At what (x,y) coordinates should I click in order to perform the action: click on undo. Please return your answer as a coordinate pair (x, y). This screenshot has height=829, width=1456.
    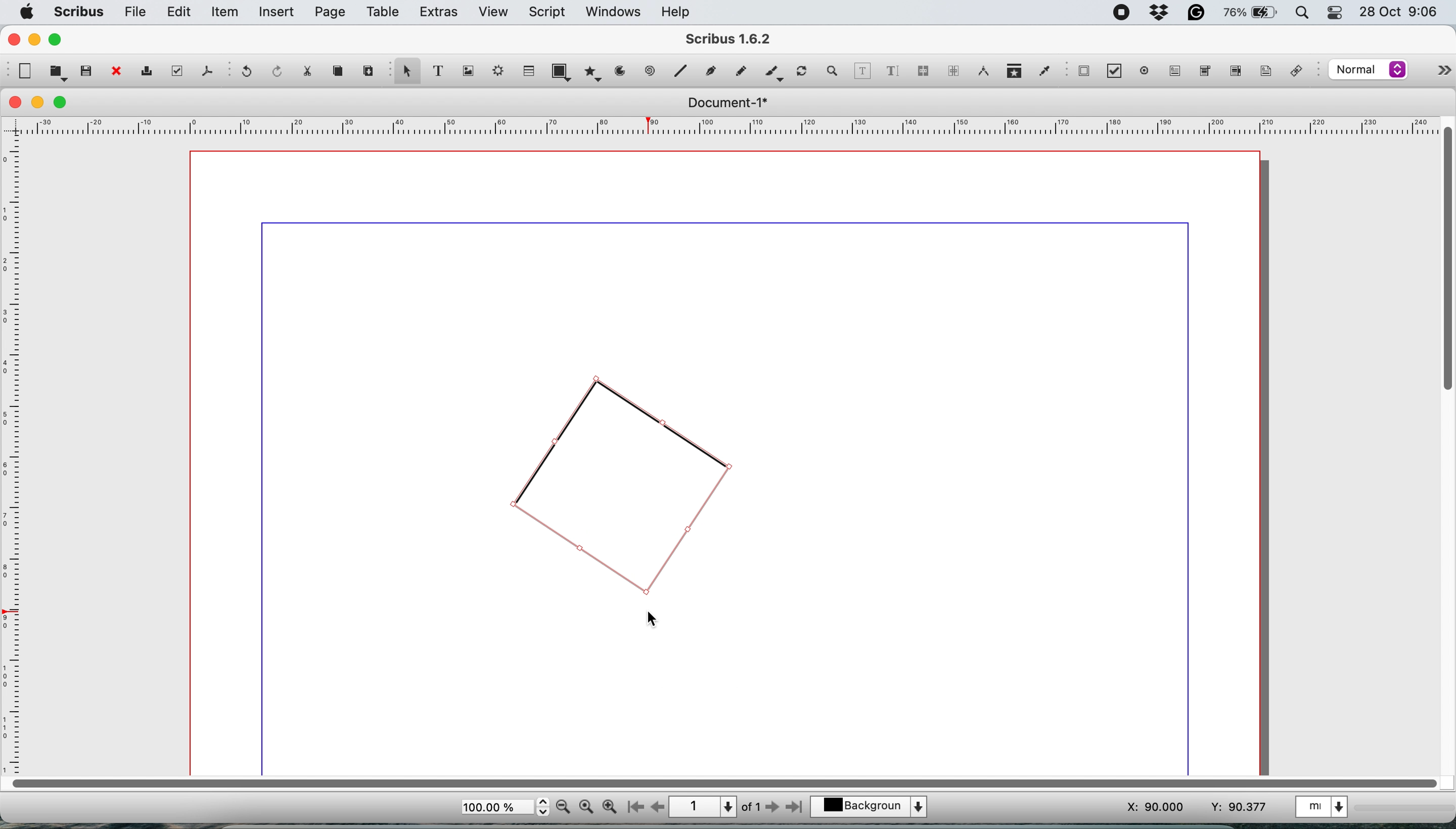
    Looking at the image, I should click on (249, 73).